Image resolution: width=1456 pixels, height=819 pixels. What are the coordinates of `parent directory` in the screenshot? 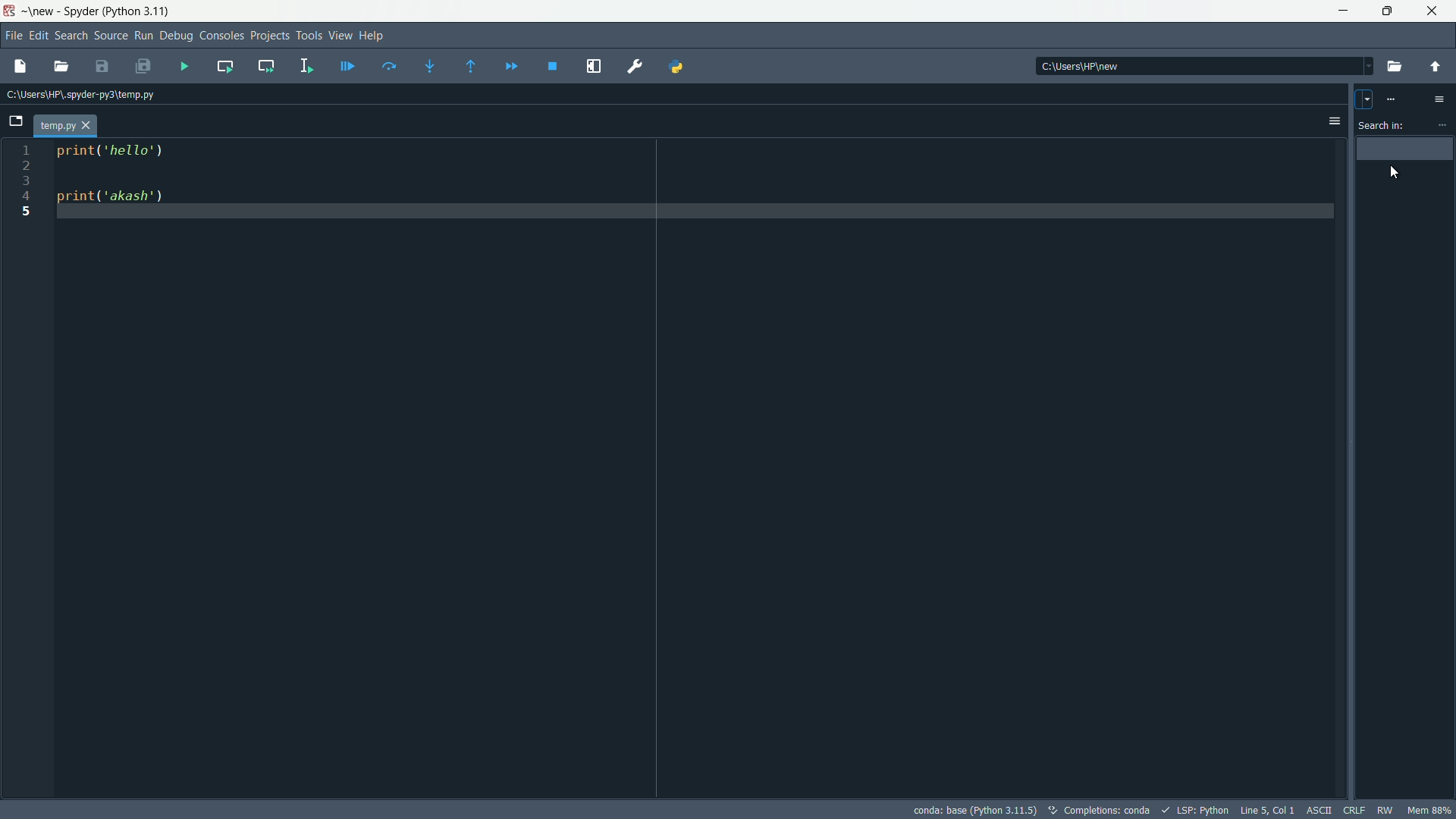 It's located at (1436, 67).